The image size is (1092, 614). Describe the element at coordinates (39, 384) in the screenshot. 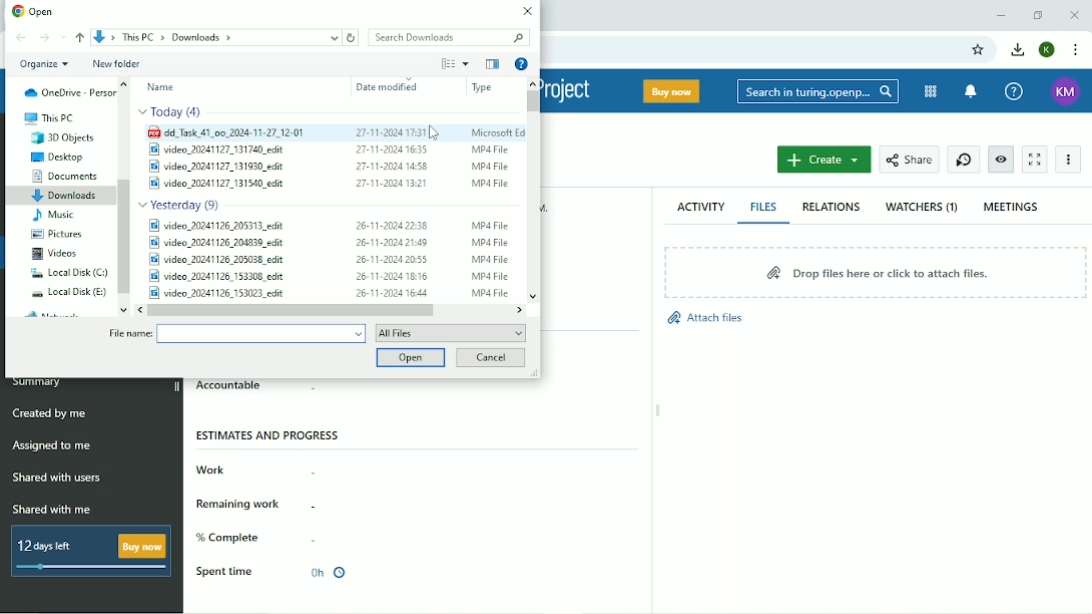

I see `Summary` at that location.